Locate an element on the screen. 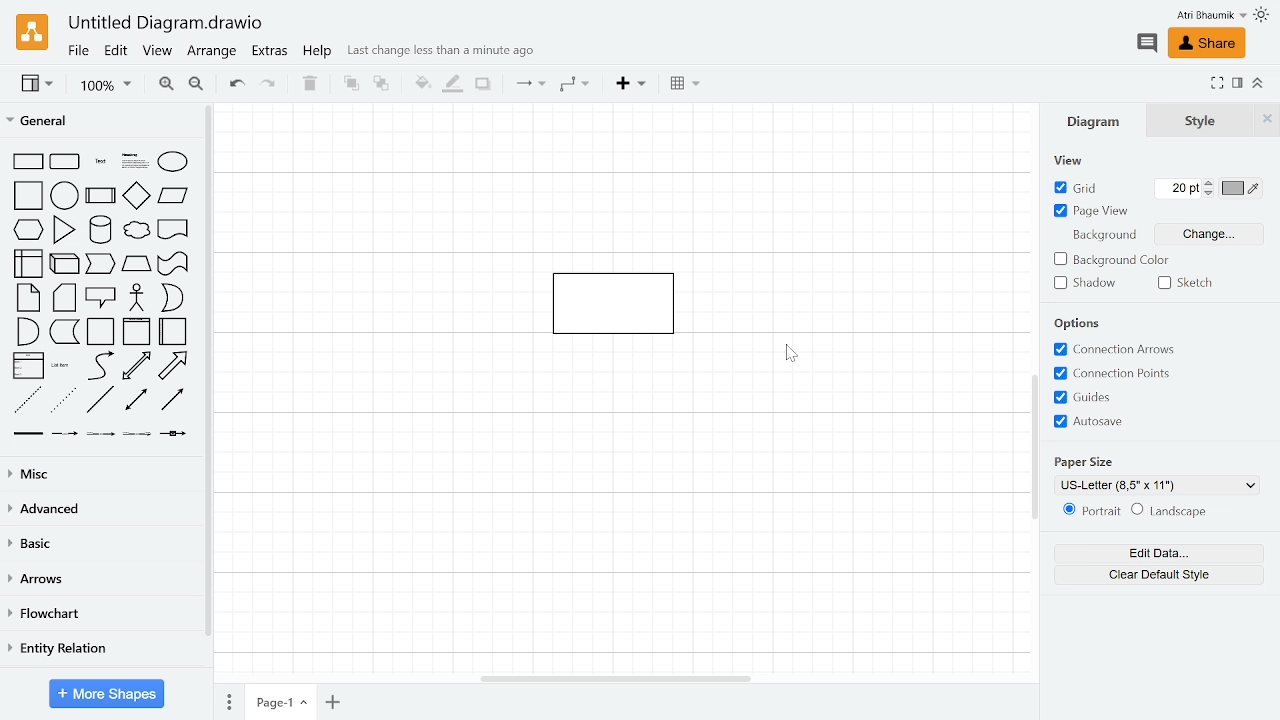 This screenshot has width=1280, height=720. Entity relation is located at coordinates (102, 653).